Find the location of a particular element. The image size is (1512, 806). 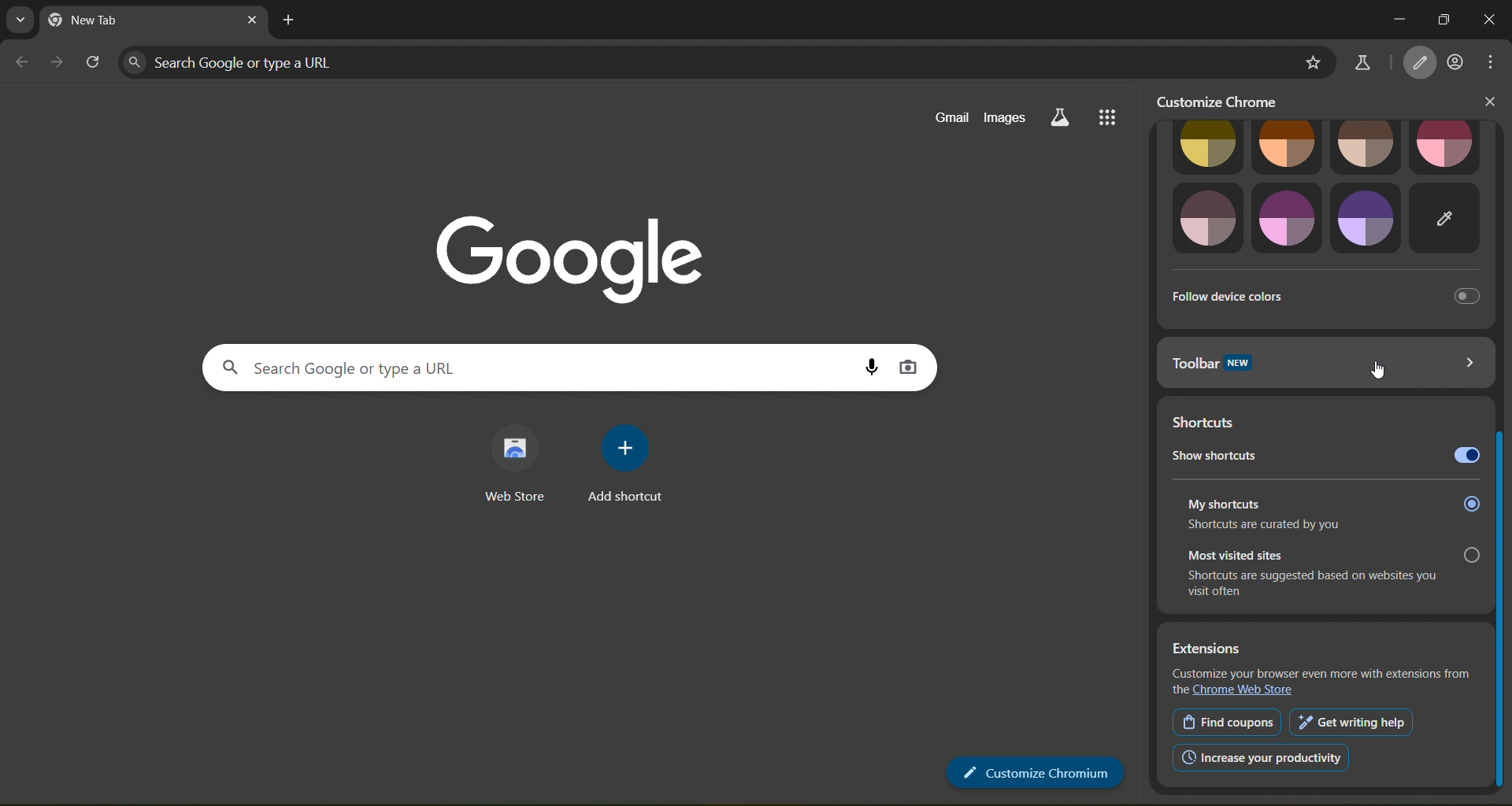

voice search is located at coordinates (869, 363).